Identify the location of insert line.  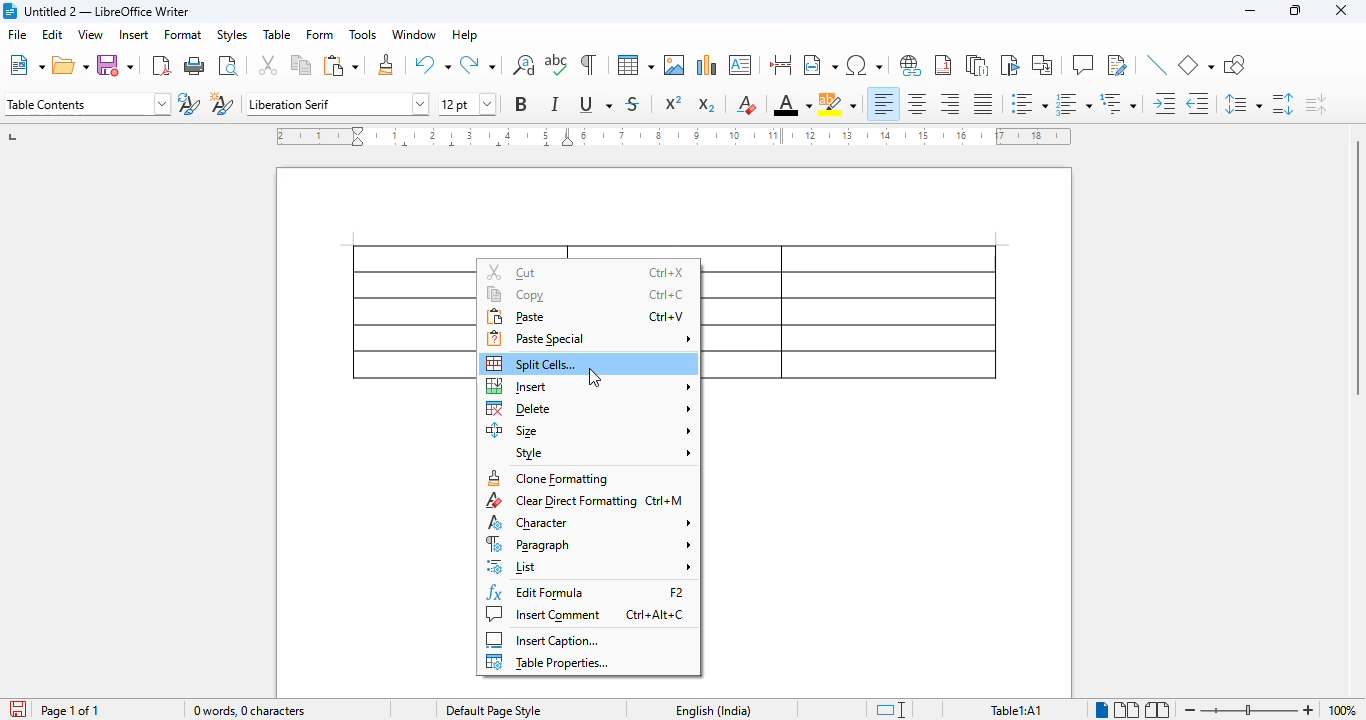
(1159, 65).